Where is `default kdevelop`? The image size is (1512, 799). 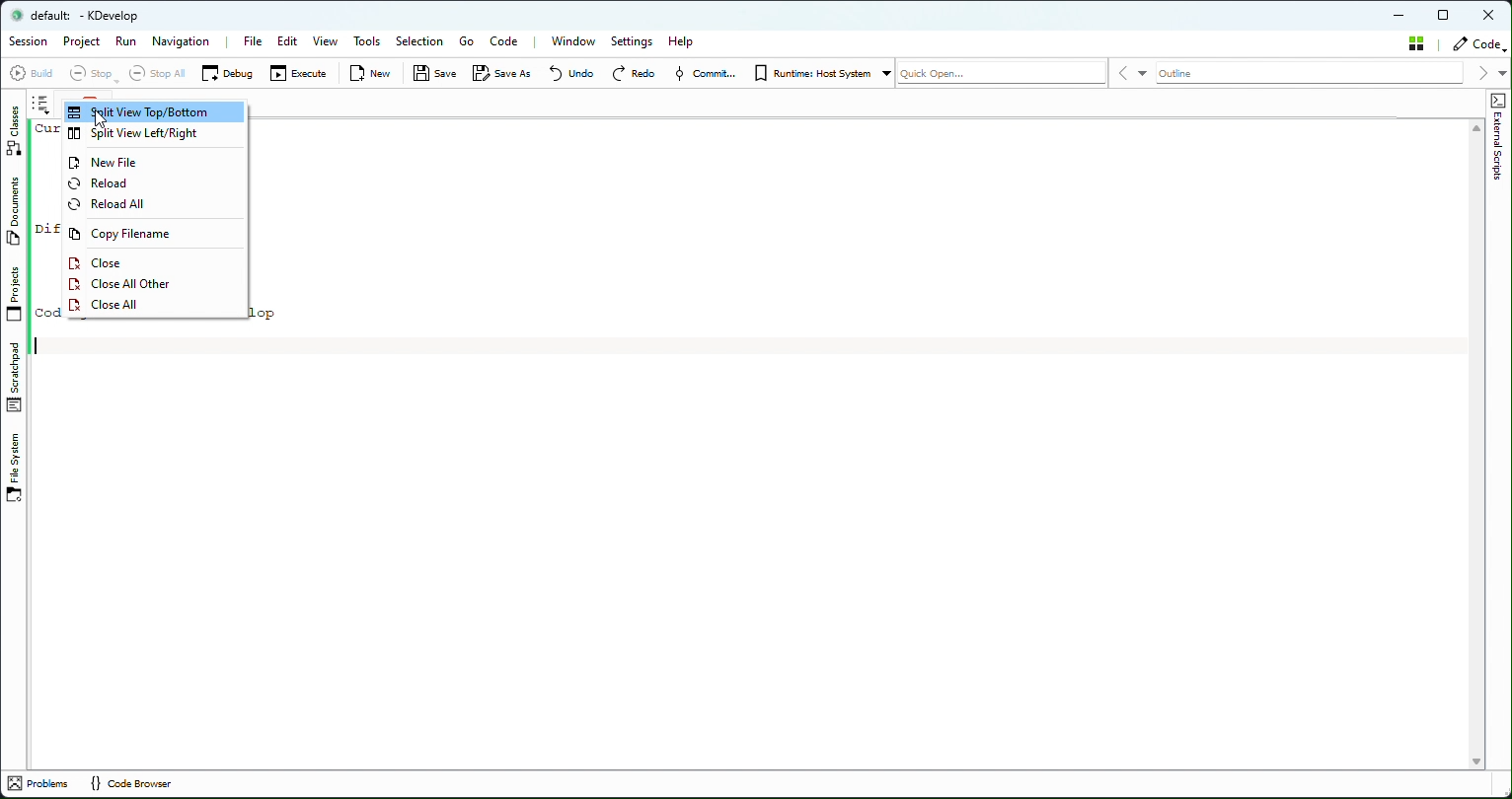 default kdevelop is located at coordinates (82, 17).